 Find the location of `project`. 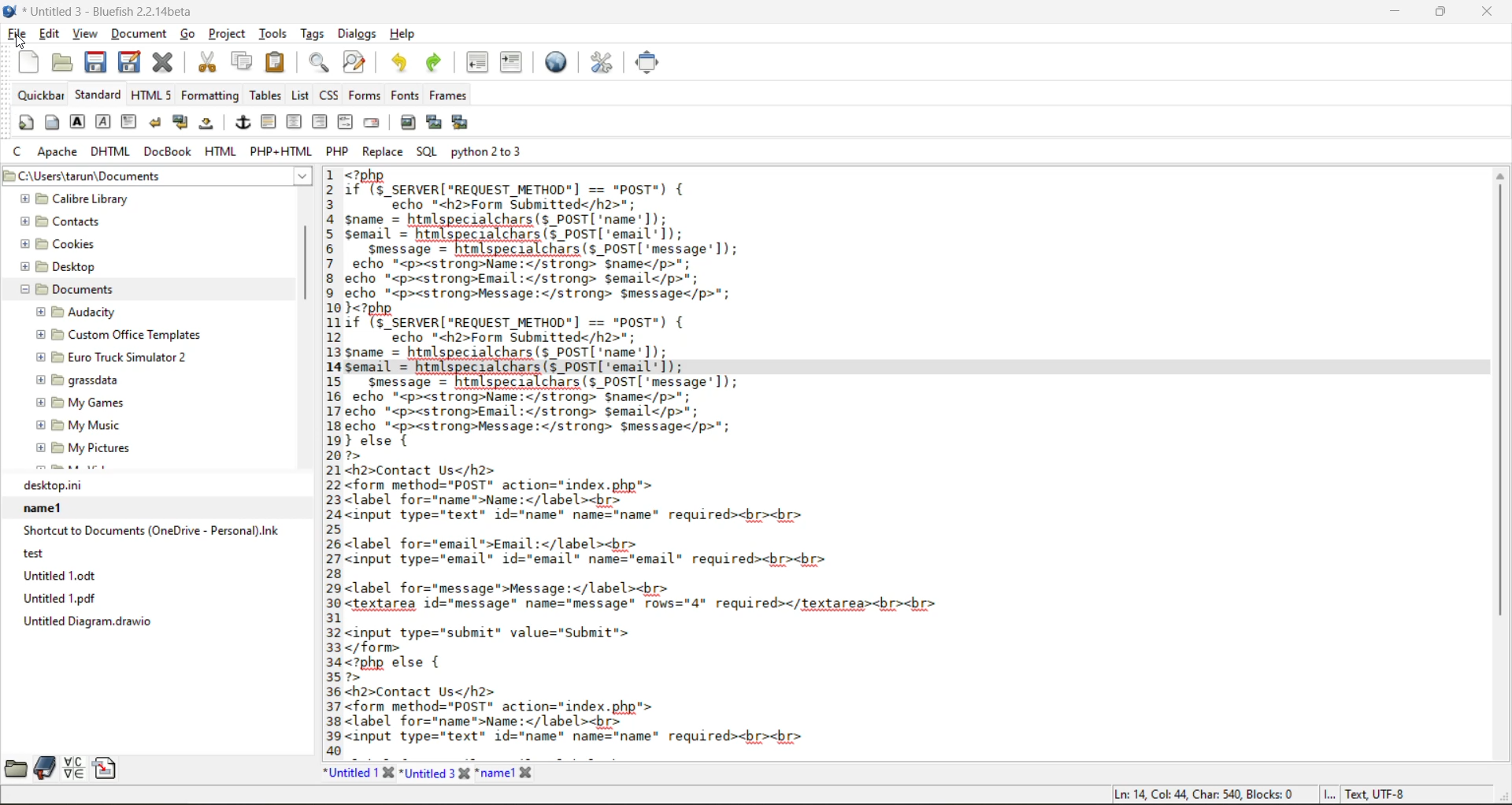

project is located at coordinates (229, 36).